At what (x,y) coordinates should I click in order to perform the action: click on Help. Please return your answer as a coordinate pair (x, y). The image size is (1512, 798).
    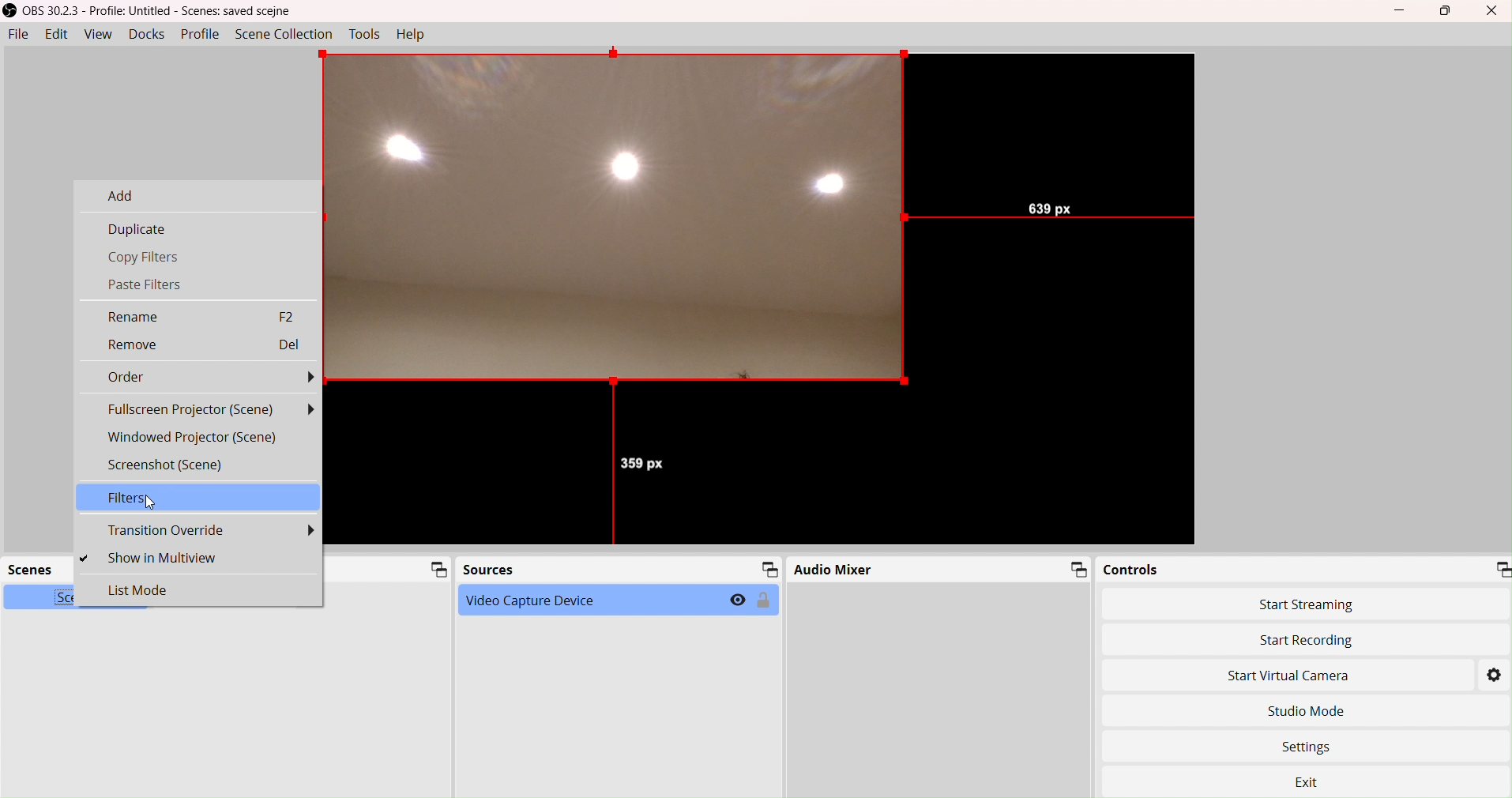
    Looking at the image, I should click on (410, 34).